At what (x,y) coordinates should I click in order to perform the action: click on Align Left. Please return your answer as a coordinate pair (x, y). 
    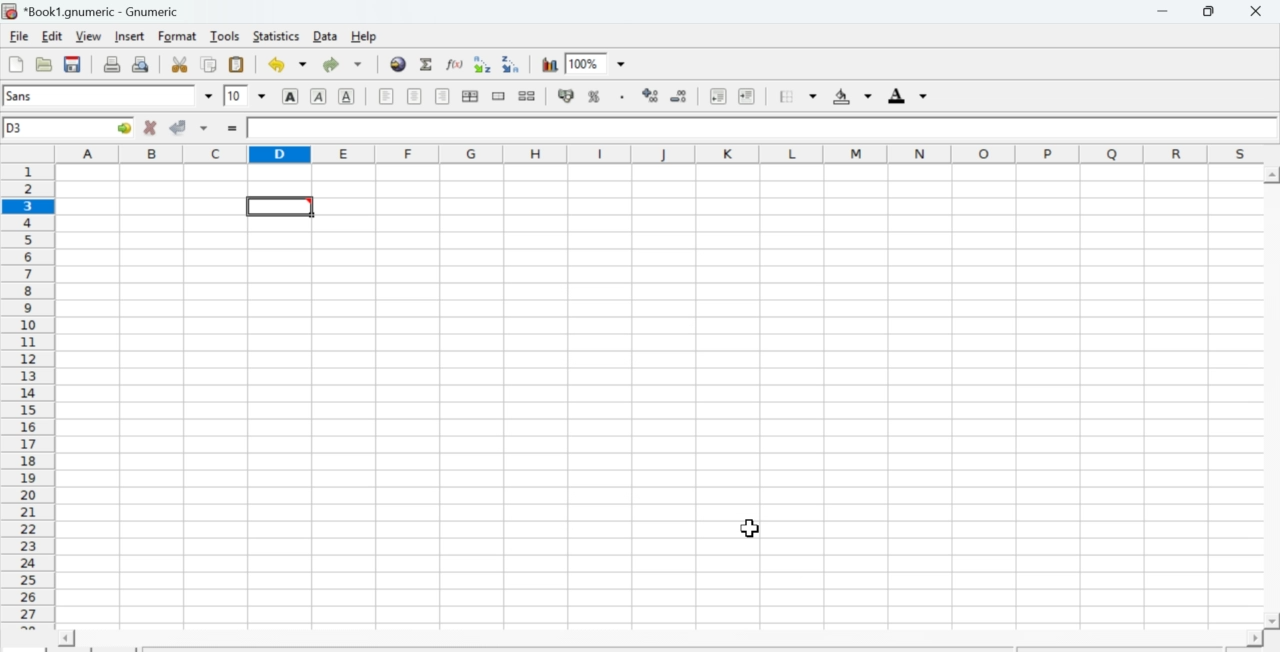
    Looking at the image, I should click on (384, 97).